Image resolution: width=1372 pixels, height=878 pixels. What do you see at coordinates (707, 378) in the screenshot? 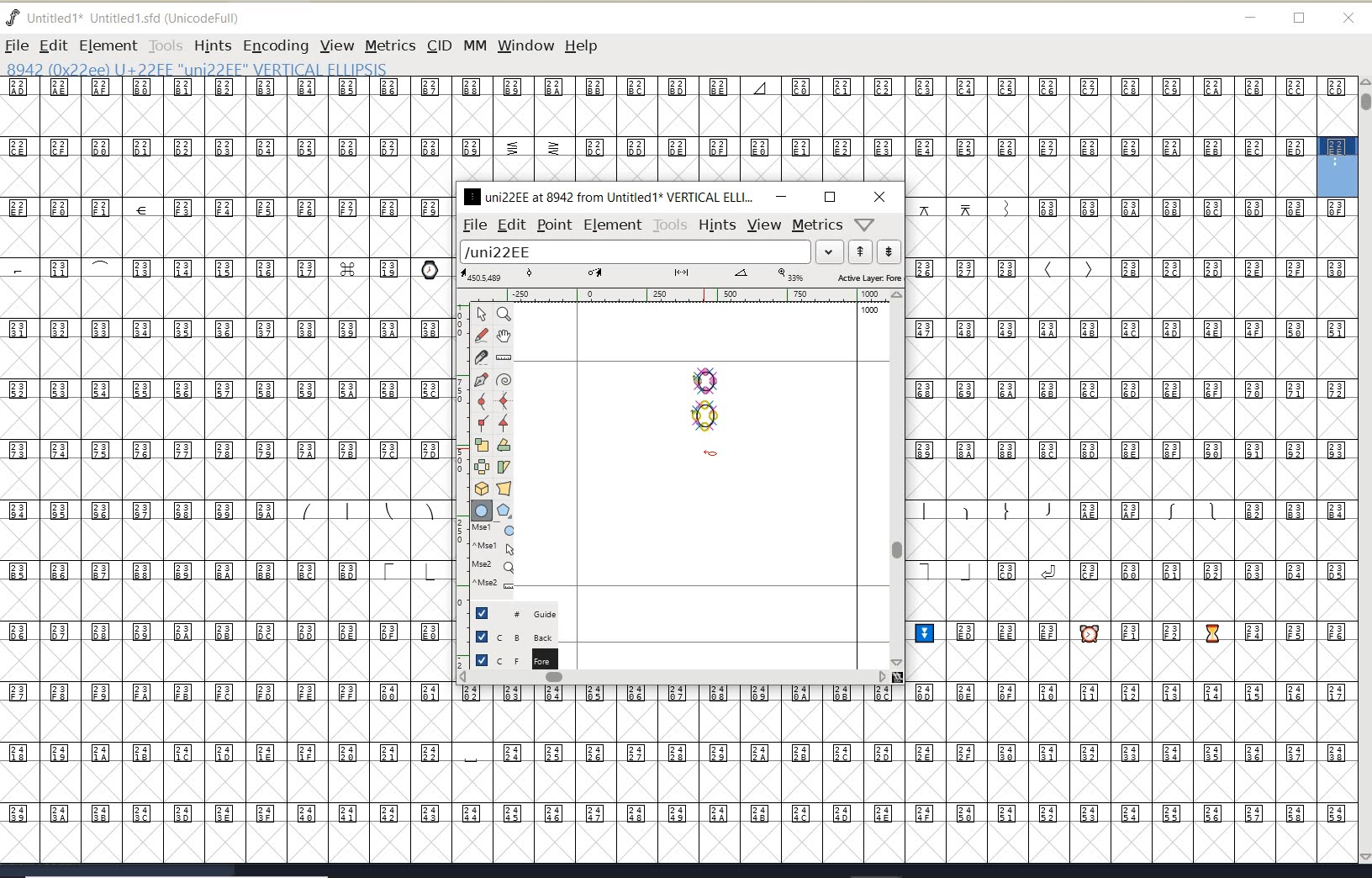
I see `a vertical ellipsis creation` at bounding box center [707, 378].